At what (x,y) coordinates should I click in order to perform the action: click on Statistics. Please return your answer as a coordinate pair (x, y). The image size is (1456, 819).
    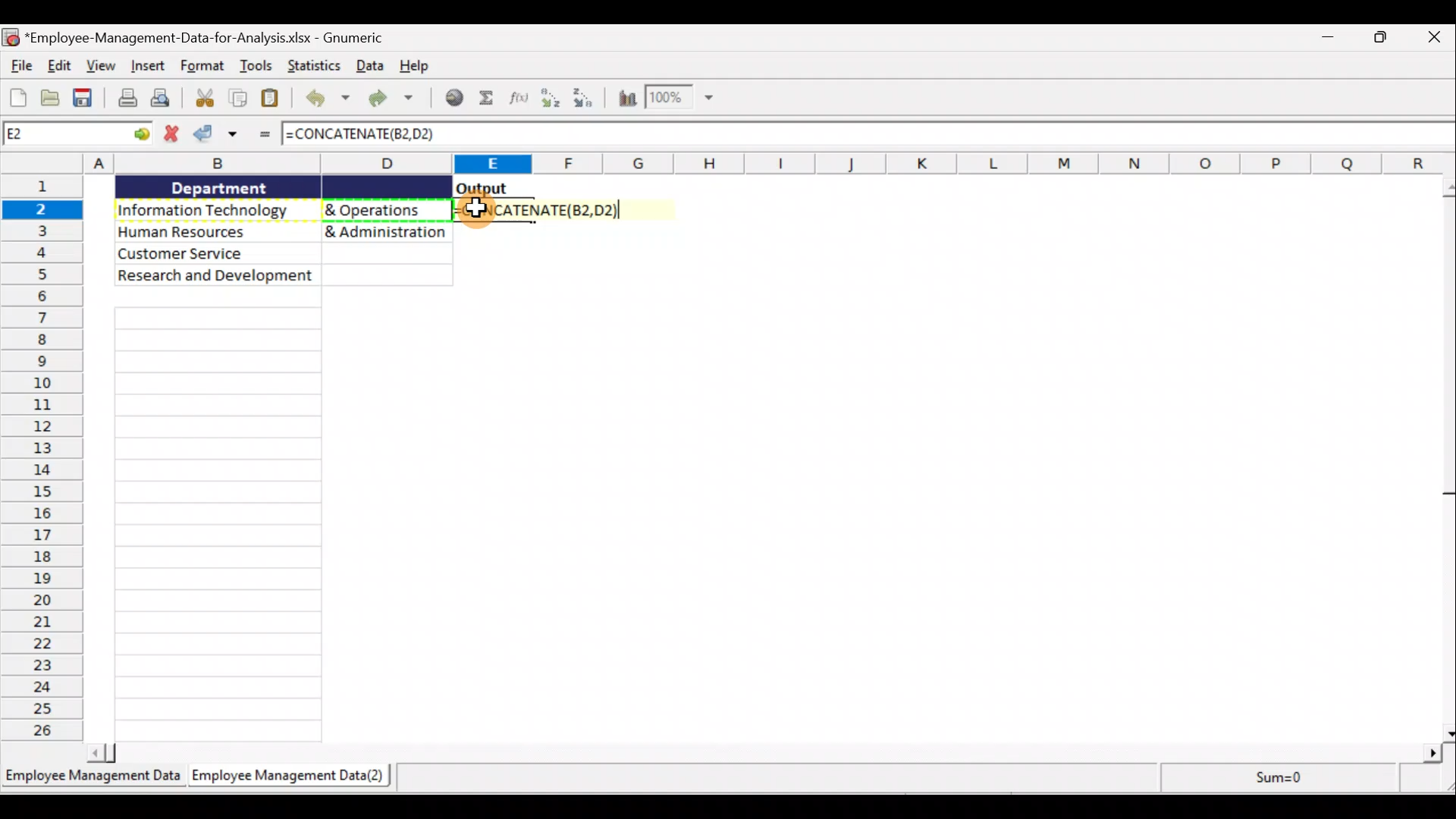
    Looking at the image, I should click on (316, 67).